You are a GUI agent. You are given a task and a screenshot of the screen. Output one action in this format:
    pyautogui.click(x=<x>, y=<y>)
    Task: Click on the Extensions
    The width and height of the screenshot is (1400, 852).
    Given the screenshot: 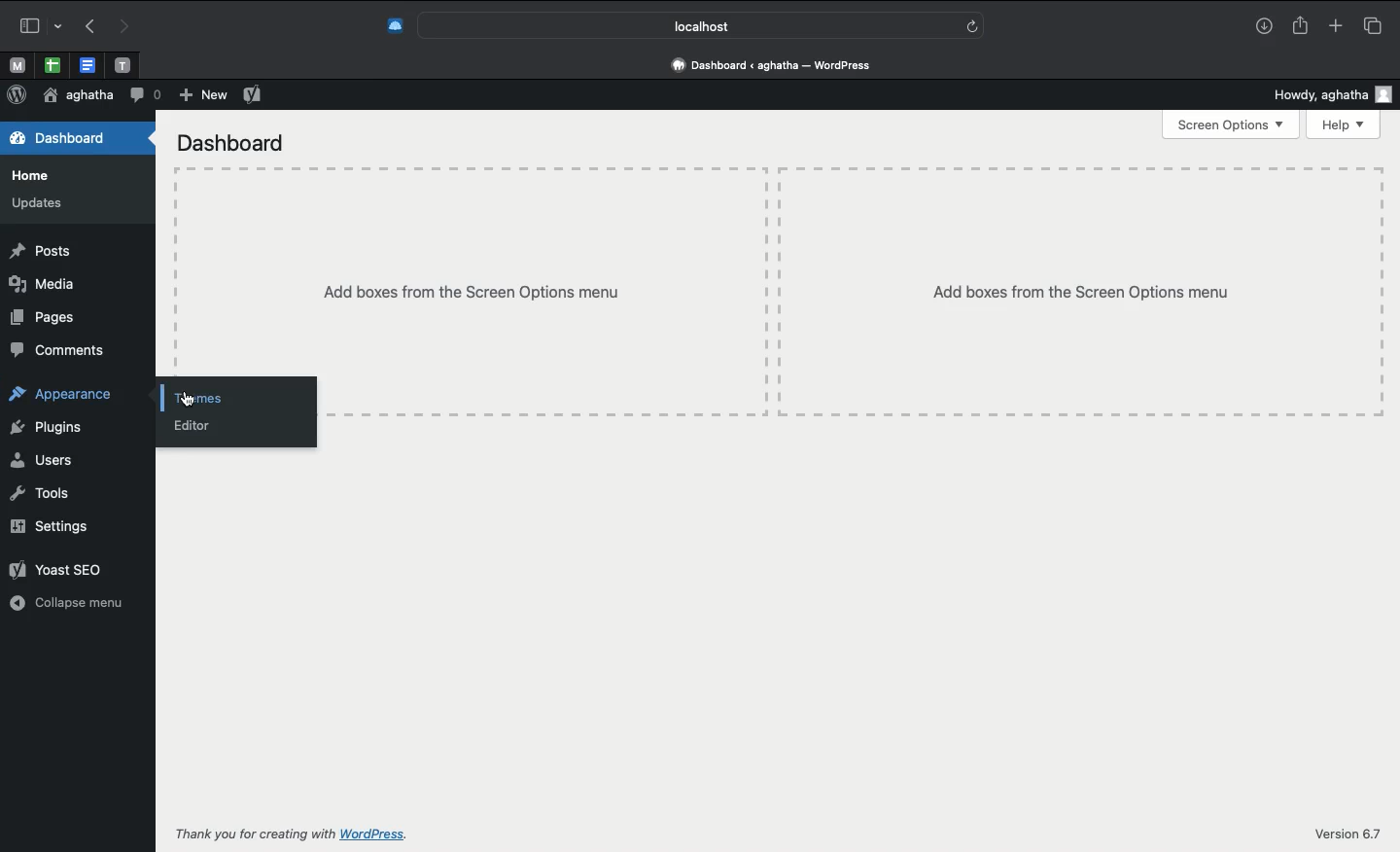 What is the action you would take?
    pyautogui.click(x=393, y=27)
    